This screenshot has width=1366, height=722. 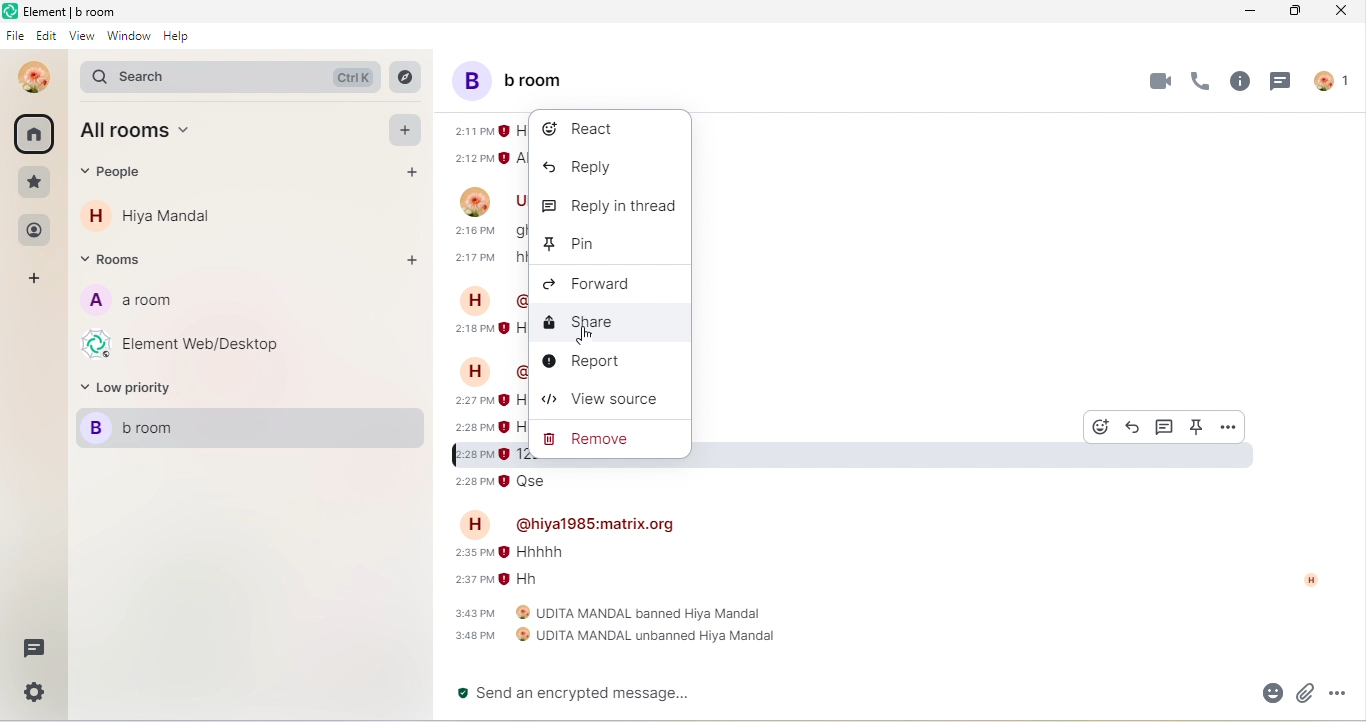 I want to click on view, so click(x=81, y=39).